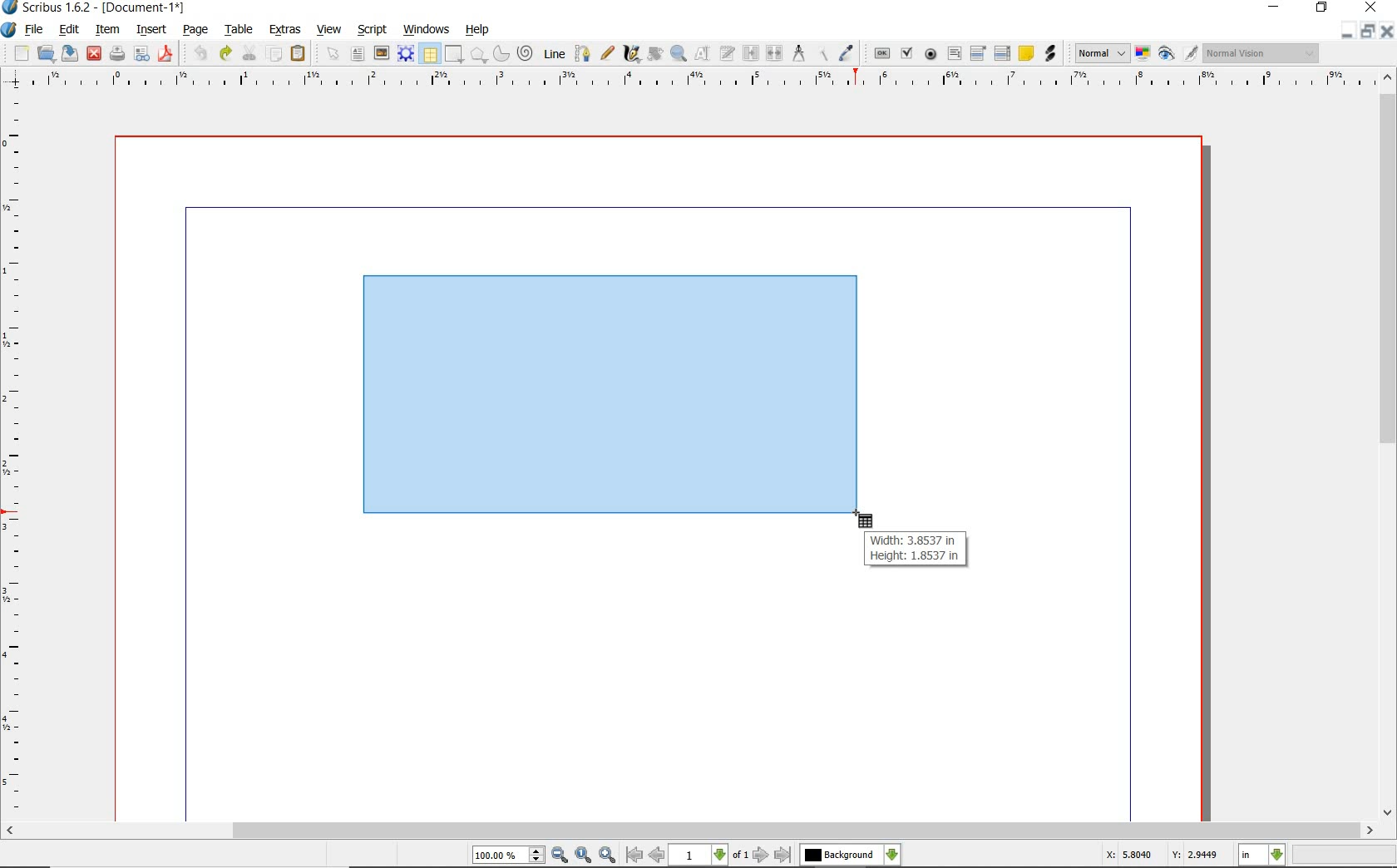 The width and height of the screenshot is (1397, 868). Describe the element at coordinates (1259, 53) in the screenshot. I see `visual appearance of the display` at that location.